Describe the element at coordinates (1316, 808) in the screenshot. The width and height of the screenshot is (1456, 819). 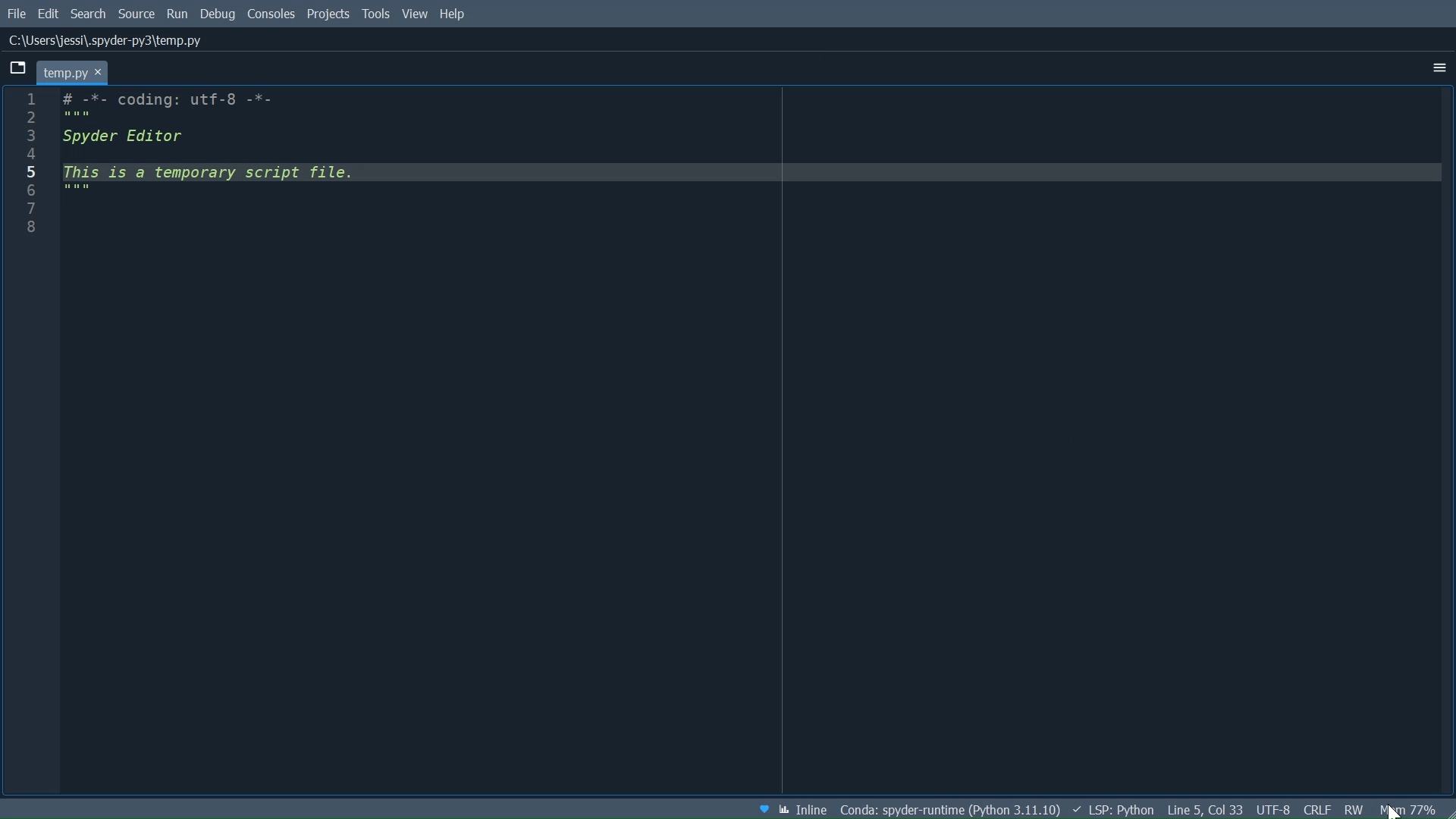
I see `File EQL Status` at that location.